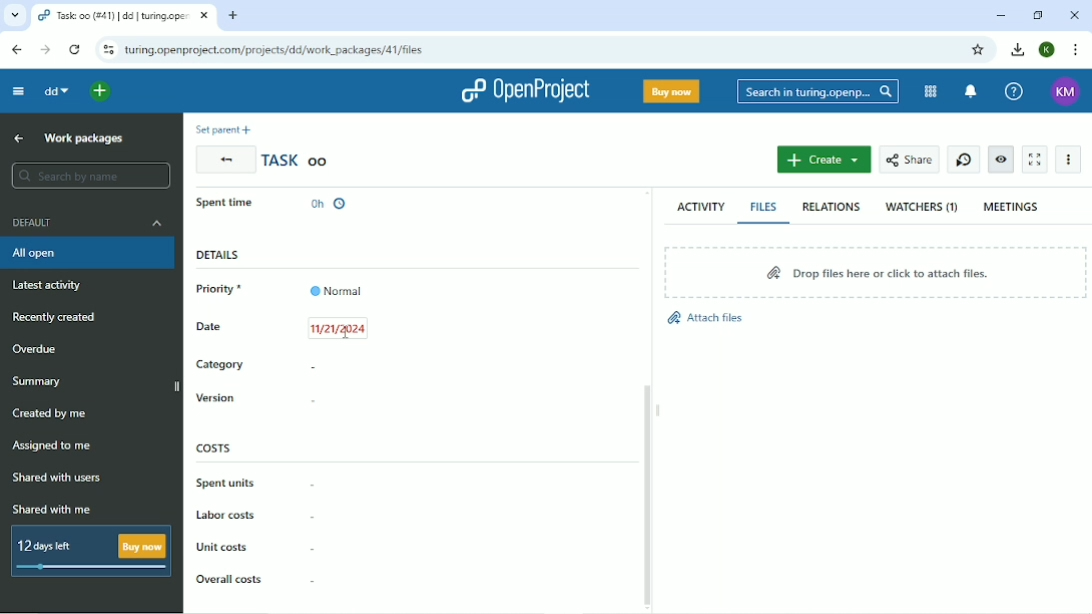 Image resolution: width=1092 pixels, height=614 pixels. I want to click on scroll up, so click(647, 192).